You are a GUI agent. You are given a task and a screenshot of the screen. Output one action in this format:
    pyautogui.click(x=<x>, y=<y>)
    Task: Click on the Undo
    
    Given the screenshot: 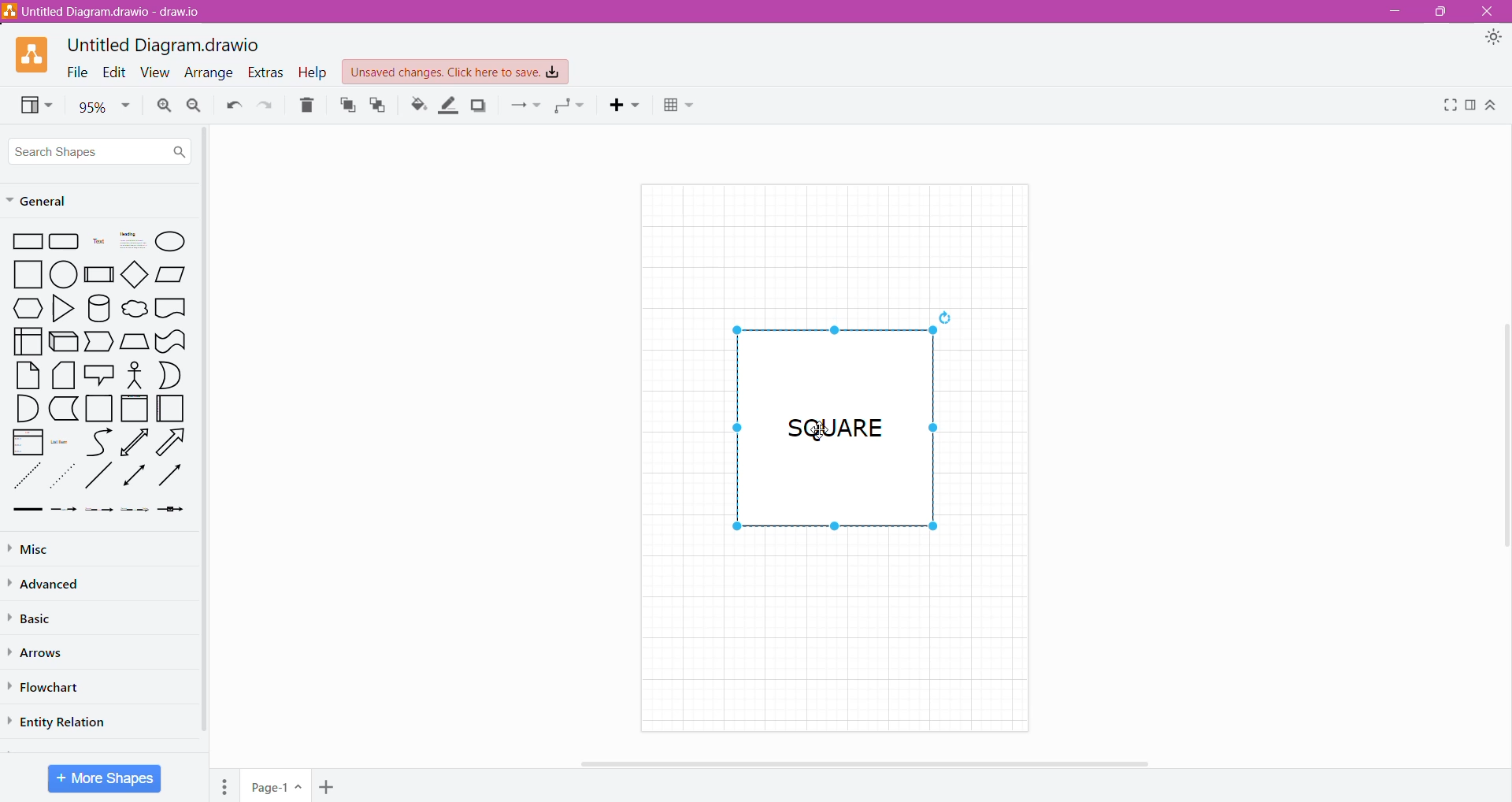 What is the action you would take?
    pyautogui.click(x=234, y=106)
    